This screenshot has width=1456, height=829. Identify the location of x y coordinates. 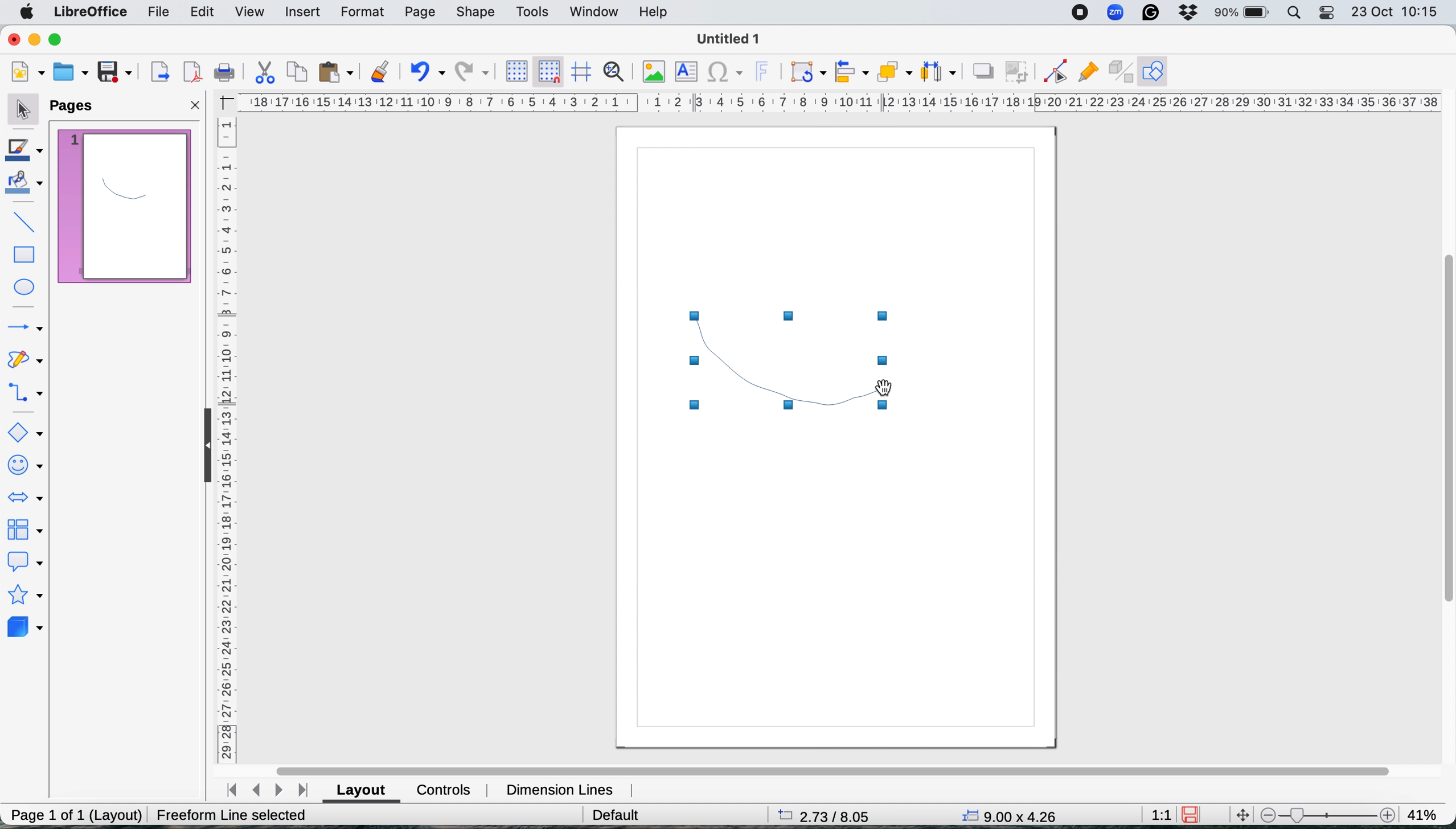
(1012, 815).